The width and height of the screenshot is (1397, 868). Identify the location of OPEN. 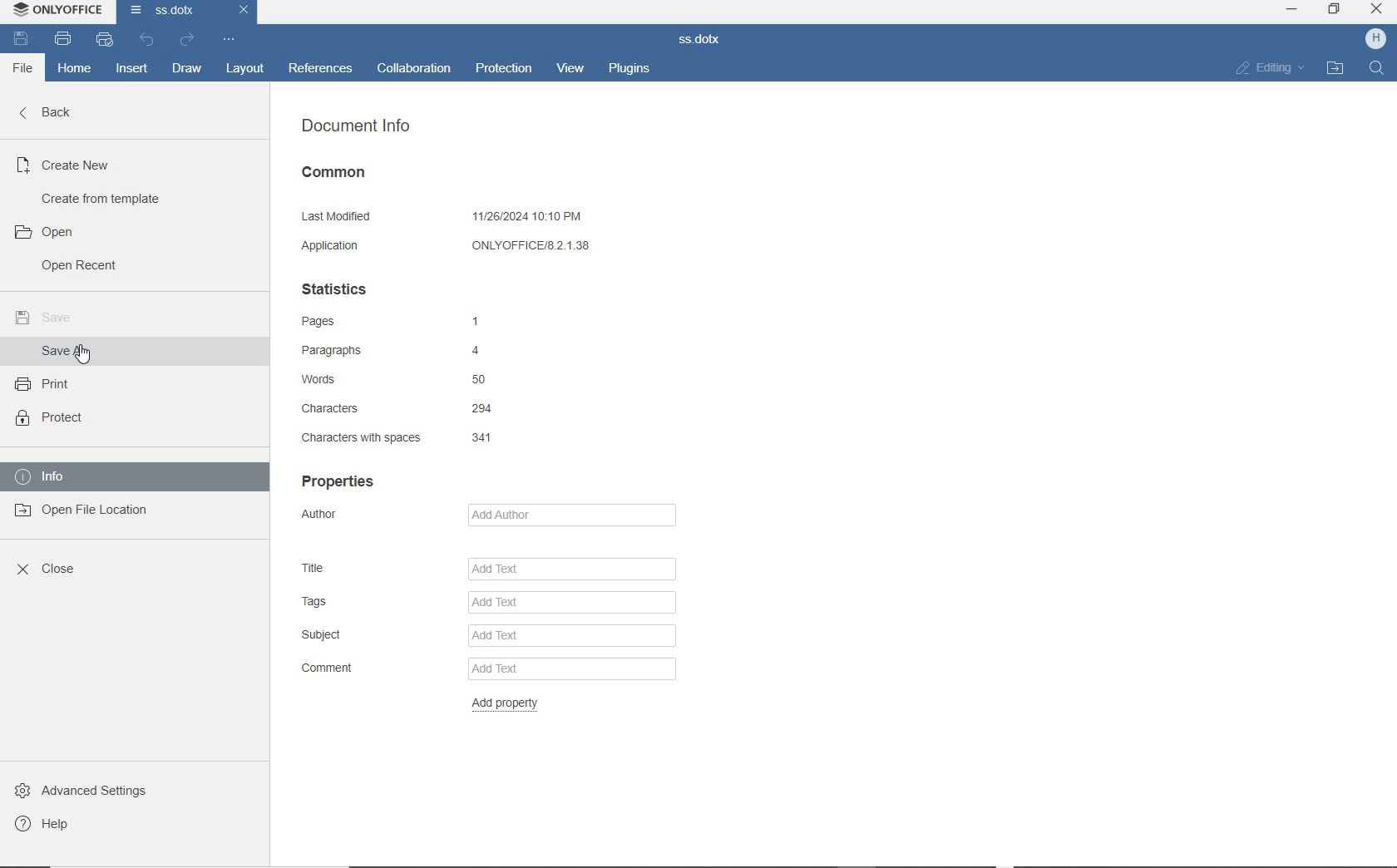
(54, 237).